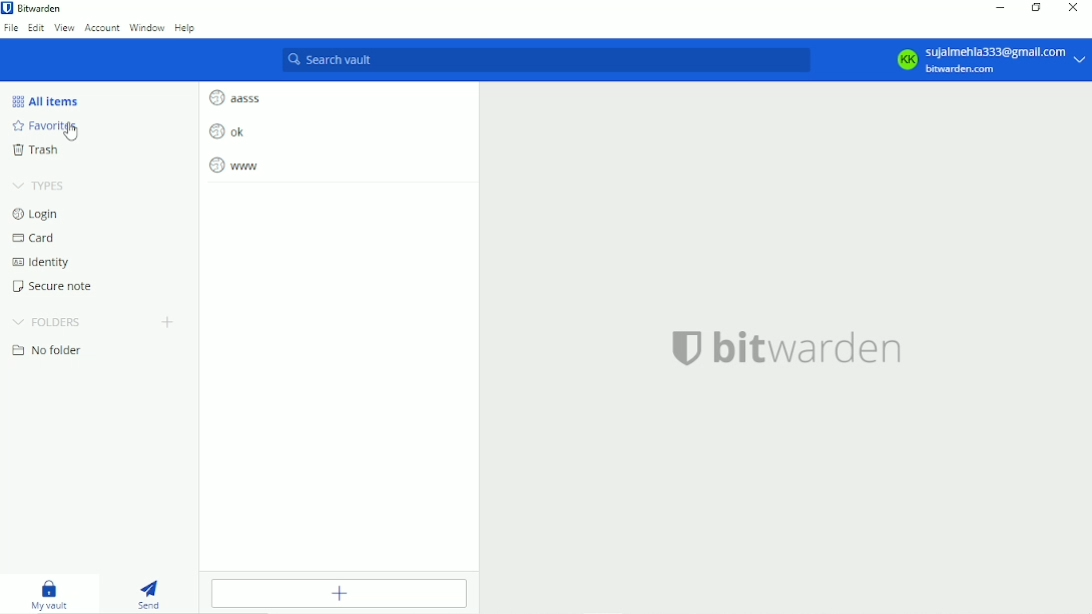 This screenshot has width=1092, height=614. Describe the element at coordinates (1075, 9) in the screenshot. I see `Close` at that location.